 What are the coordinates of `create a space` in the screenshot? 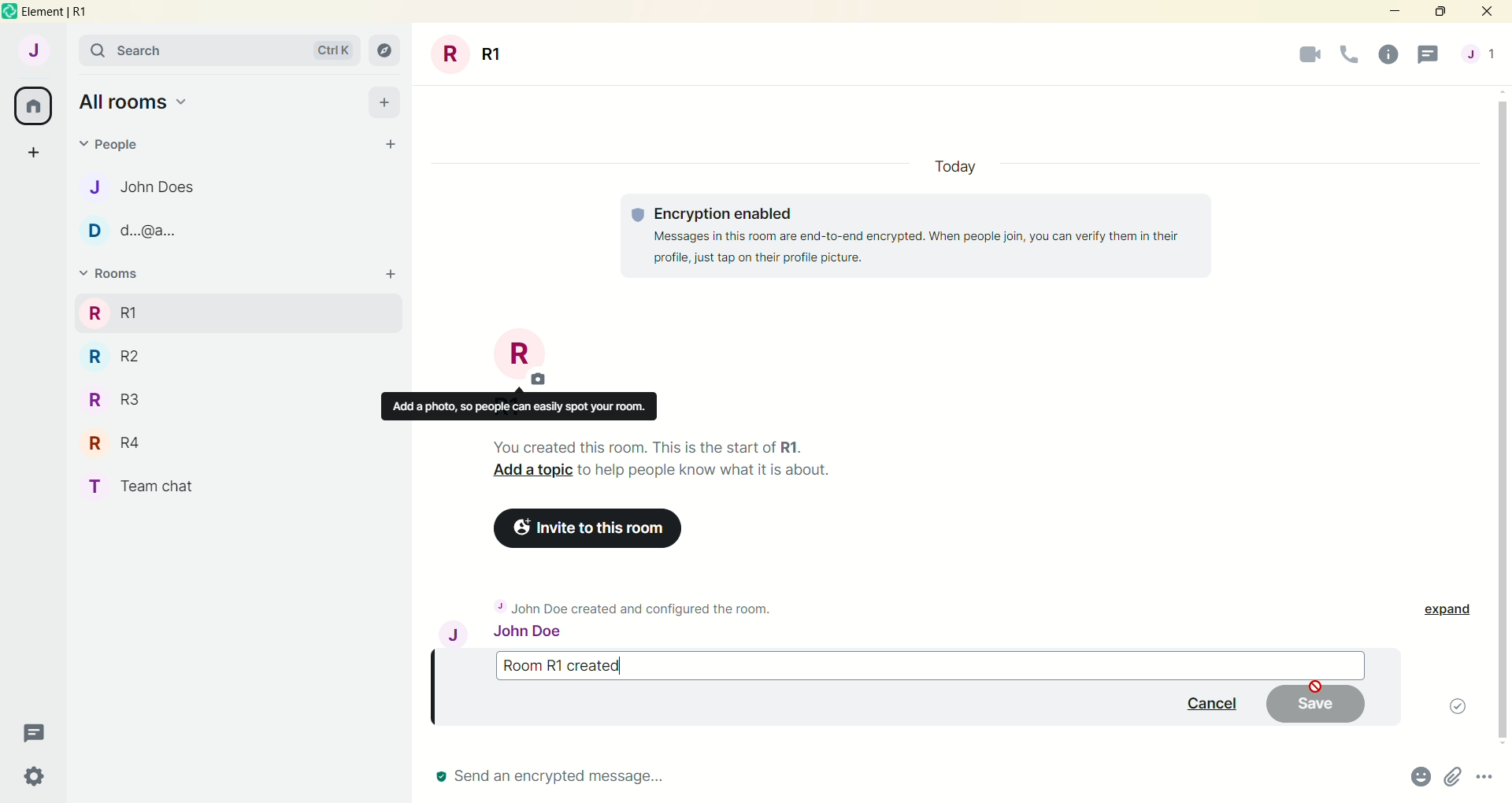 It's located at (39, 154).